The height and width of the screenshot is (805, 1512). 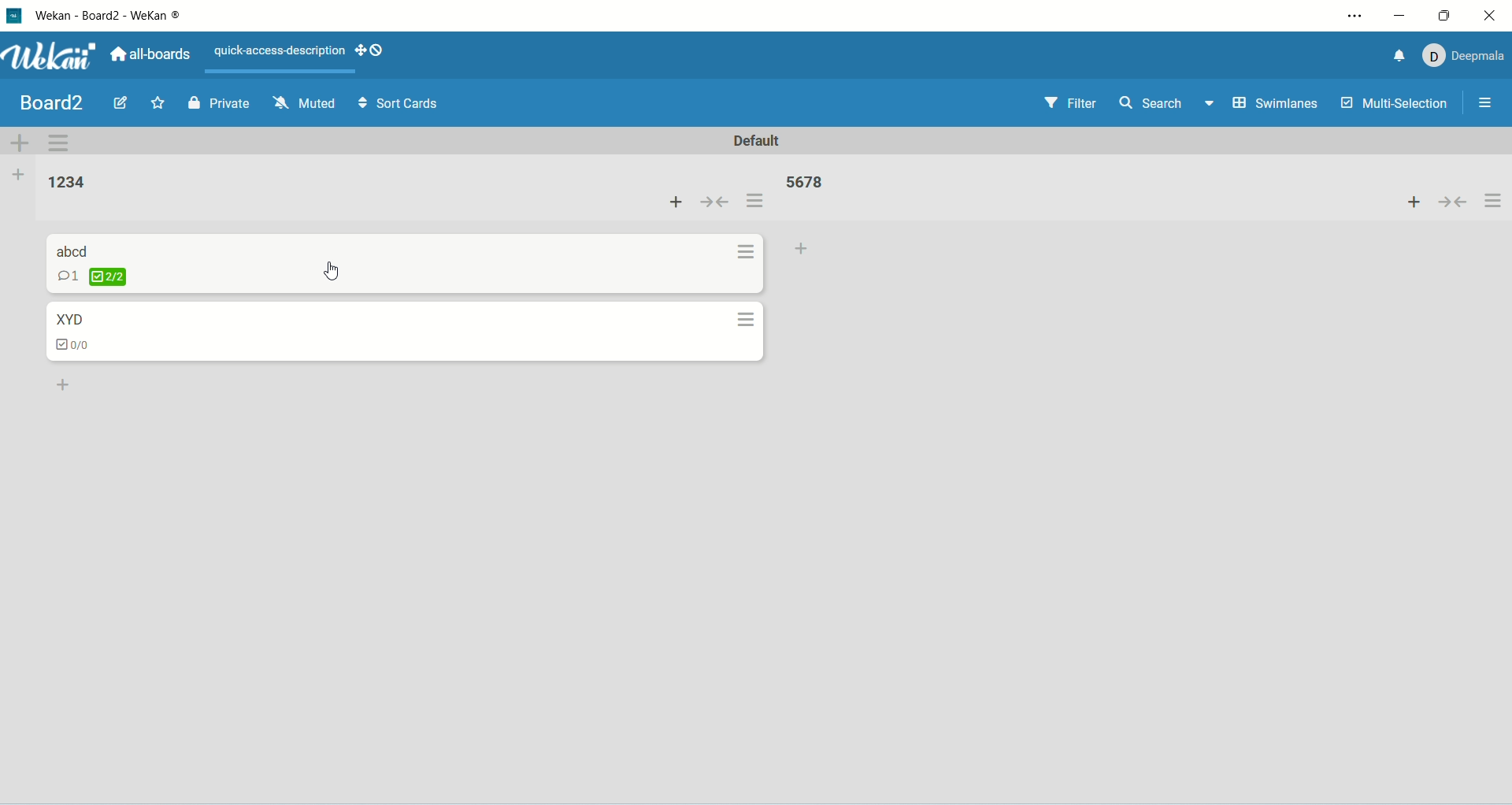 I want to click on swimlanes, so click(x=1274, y=104).